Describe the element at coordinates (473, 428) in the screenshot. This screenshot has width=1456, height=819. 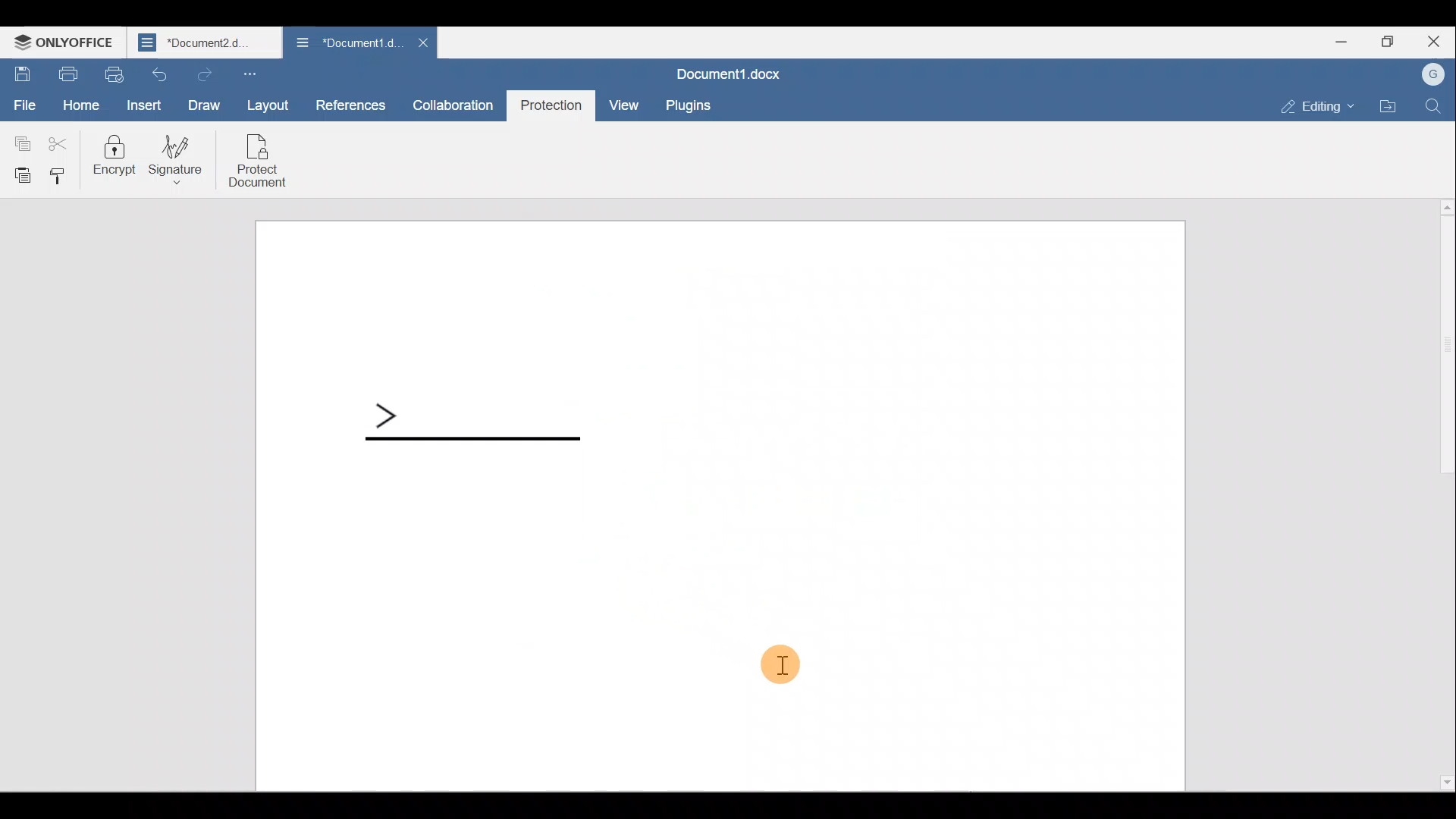
I see `Signature line` at that location.